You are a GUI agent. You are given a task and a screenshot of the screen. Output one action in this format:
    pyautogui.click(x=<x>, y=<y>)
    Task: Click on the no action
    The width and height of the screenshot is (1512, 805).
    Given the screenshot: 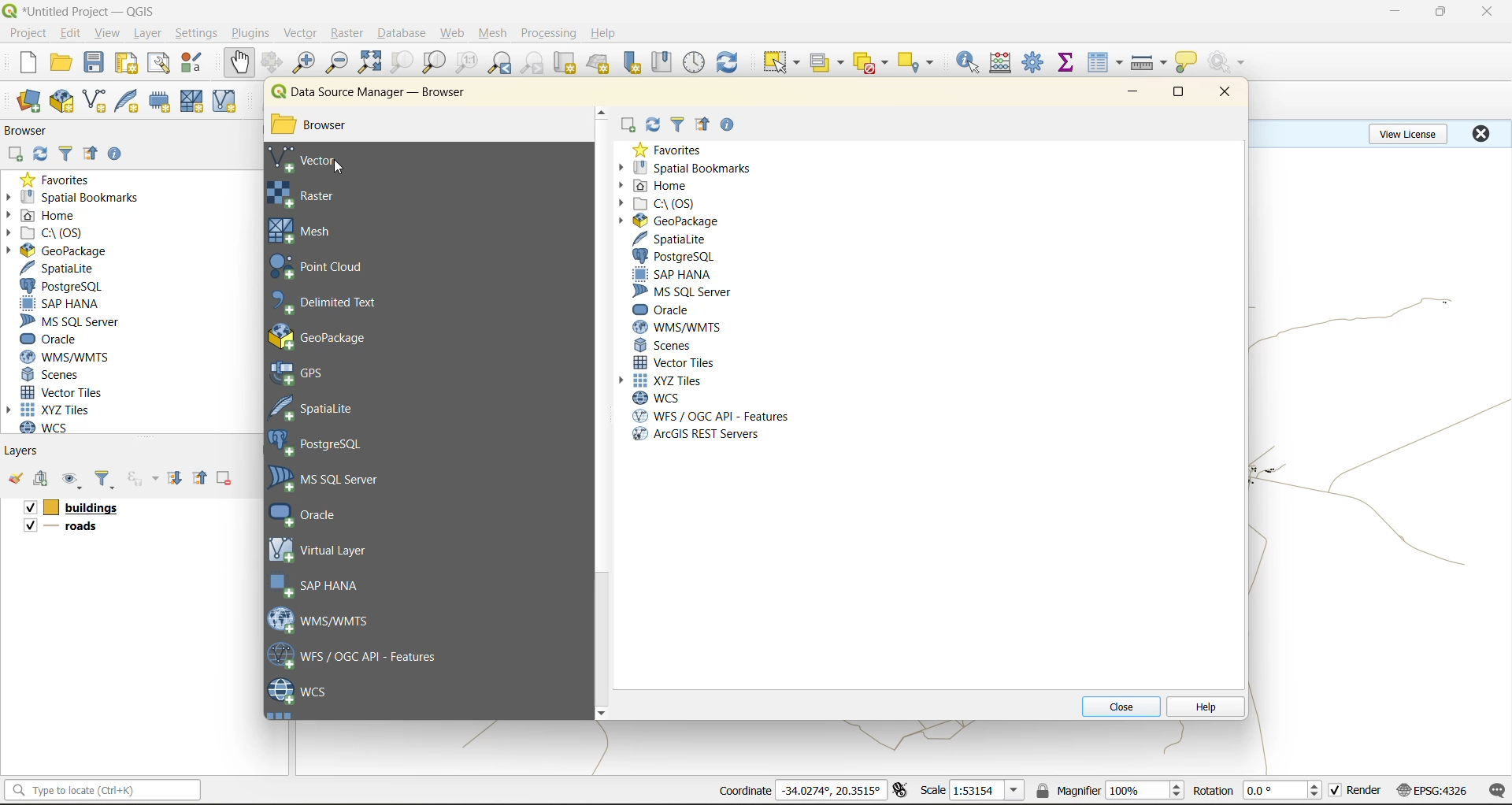 What is the action you would take?
    pyautogui.click(x=1229, y=62)
    